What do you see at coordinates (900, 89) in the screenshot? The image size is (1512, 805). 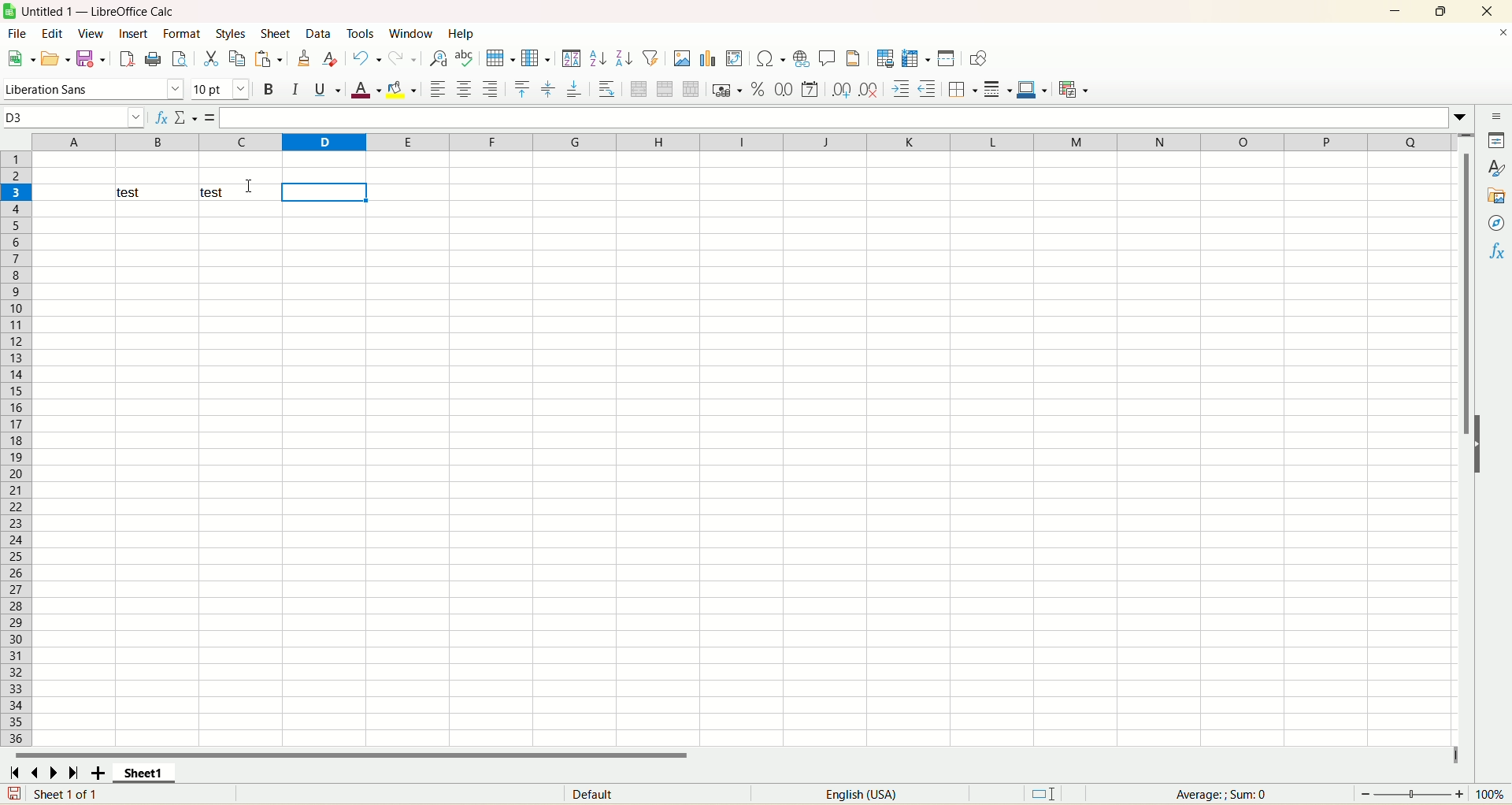 I see `Increase indent` at bounding box center [900, 89].